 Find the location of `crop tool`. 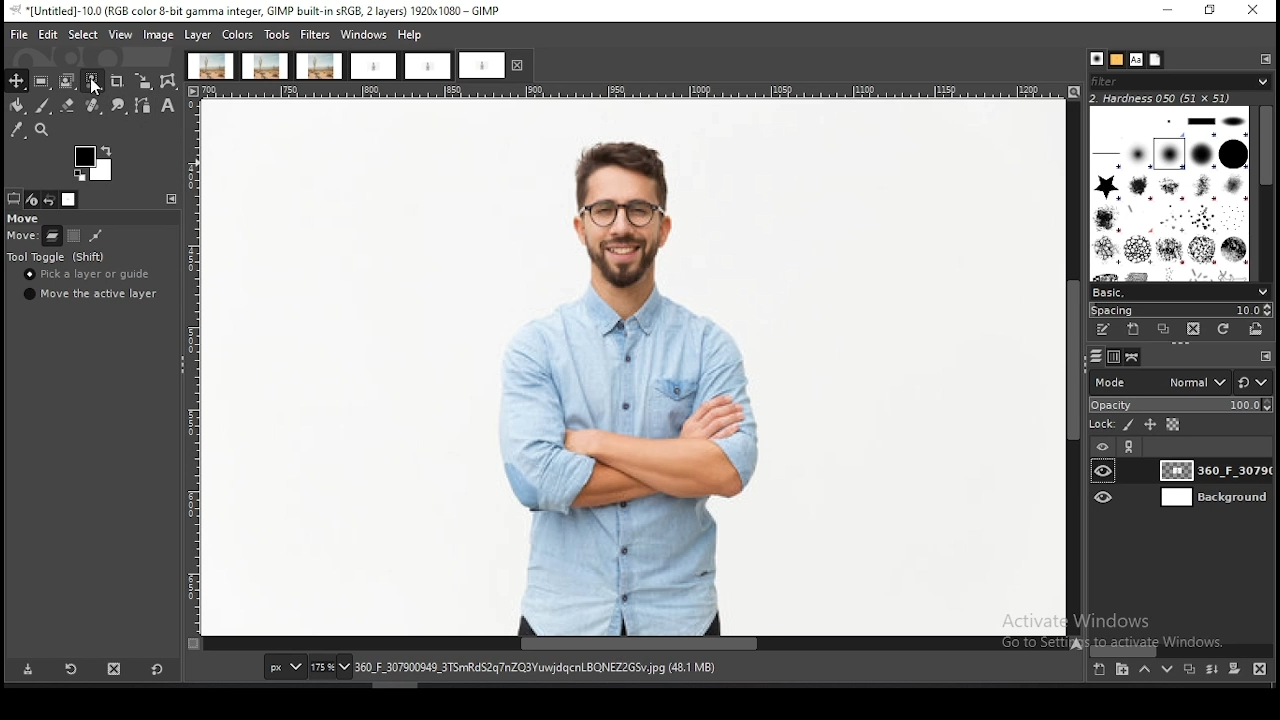

crop tool is located at coordinates (117, 83).